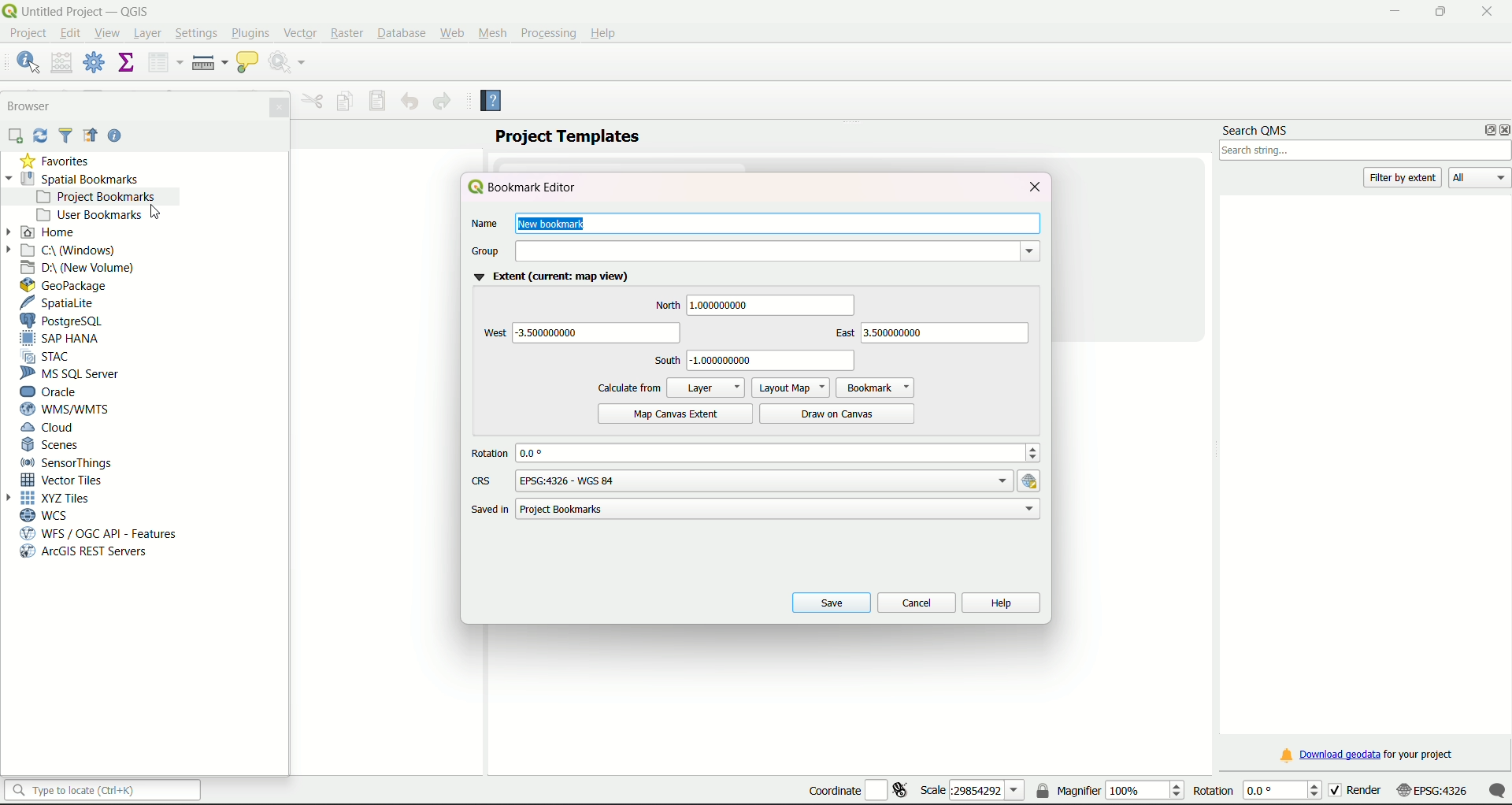 This screenshot has height=805, width=1512. What do you see at coordinates (109, 35) in the screenshot?
I see `View` at bounding box center [109, 35].